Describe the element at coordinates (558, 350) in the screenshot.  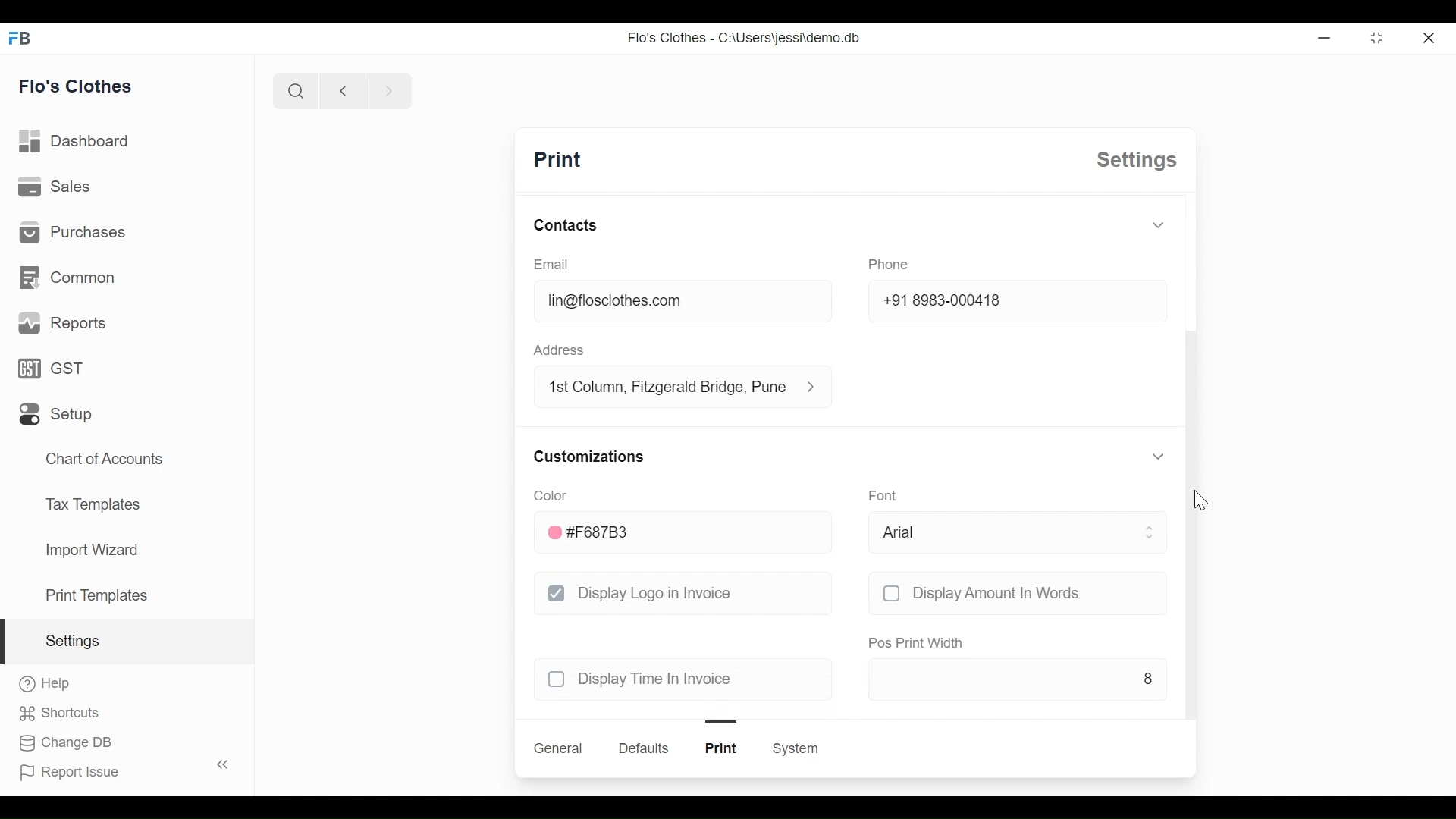
I see `address` at that location.